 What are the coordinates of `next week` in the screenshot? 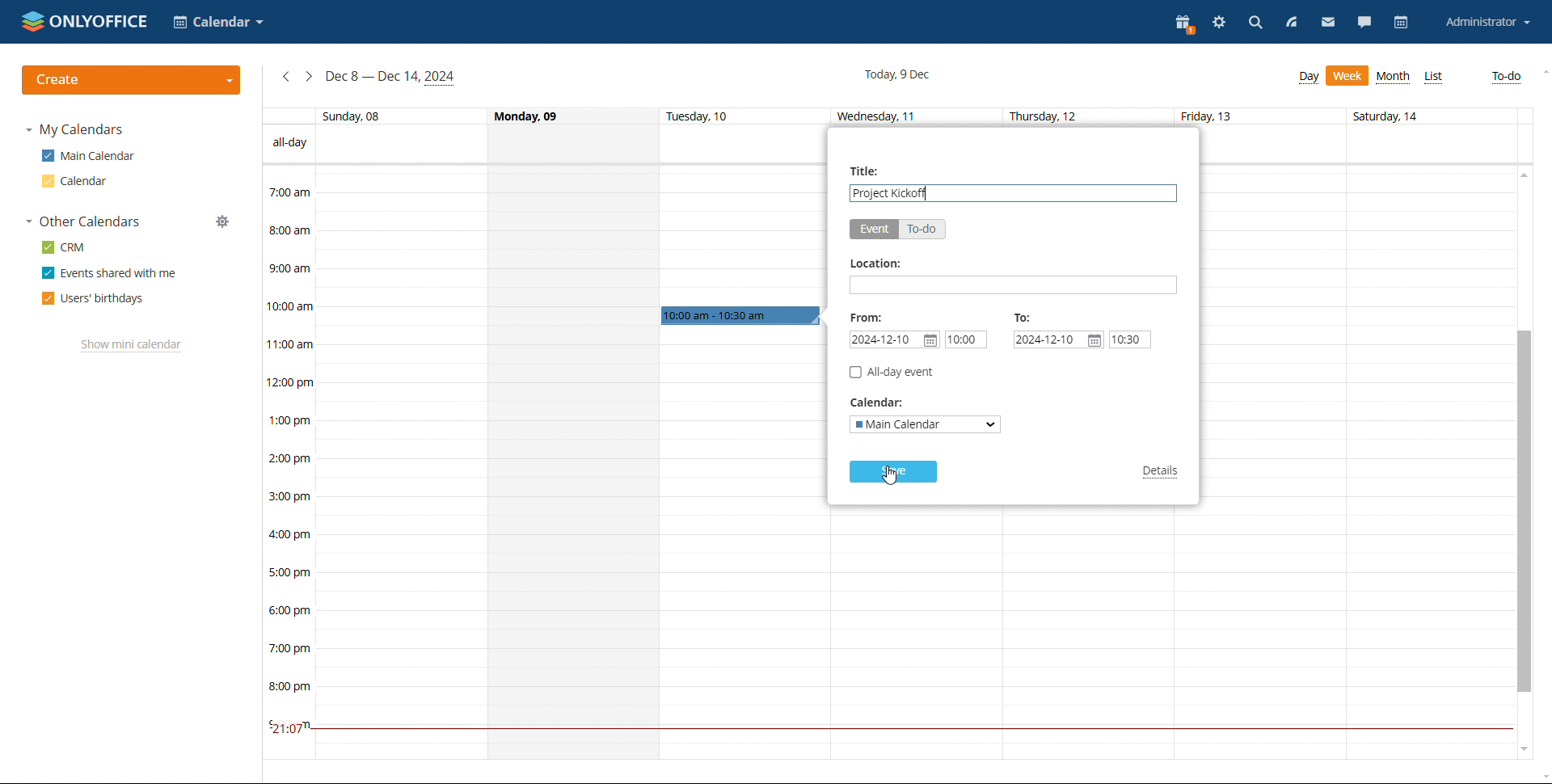 It's located at (309, 77).